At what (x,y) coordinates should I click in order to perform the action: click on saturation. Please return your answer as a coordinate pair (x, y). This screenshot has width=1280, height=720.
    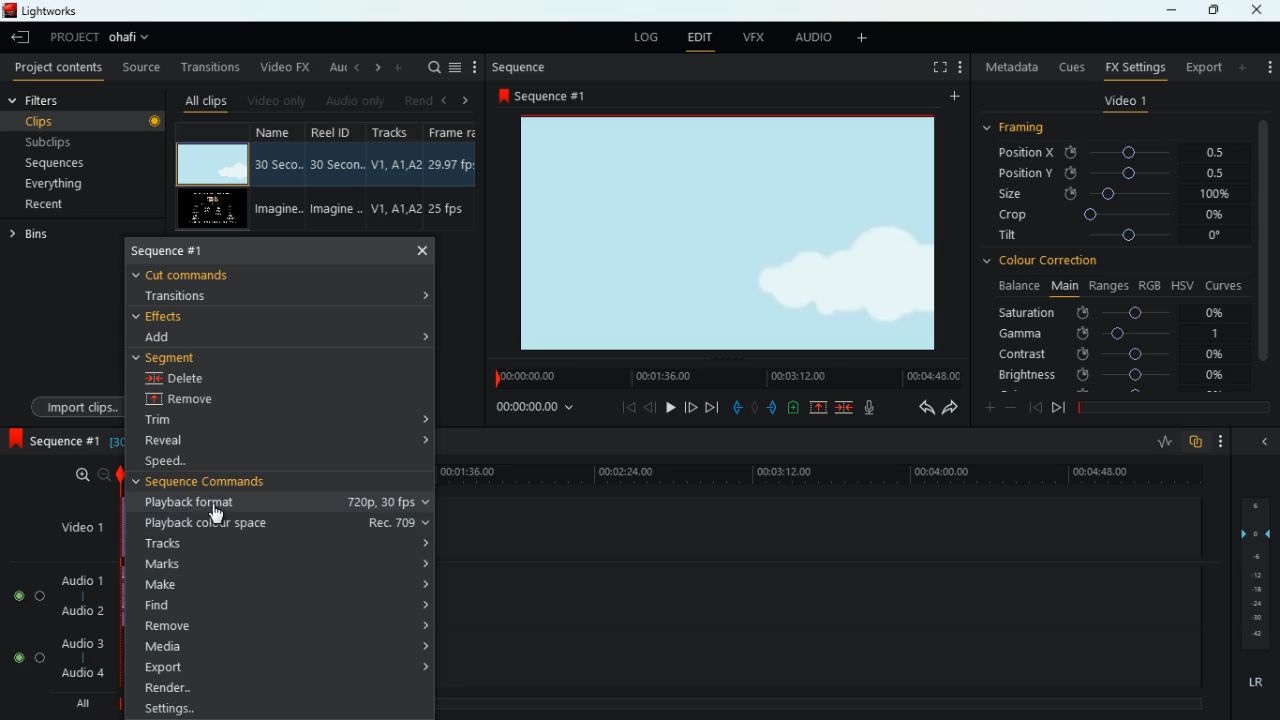
    Looking at the image, I should click on (1121, 314).